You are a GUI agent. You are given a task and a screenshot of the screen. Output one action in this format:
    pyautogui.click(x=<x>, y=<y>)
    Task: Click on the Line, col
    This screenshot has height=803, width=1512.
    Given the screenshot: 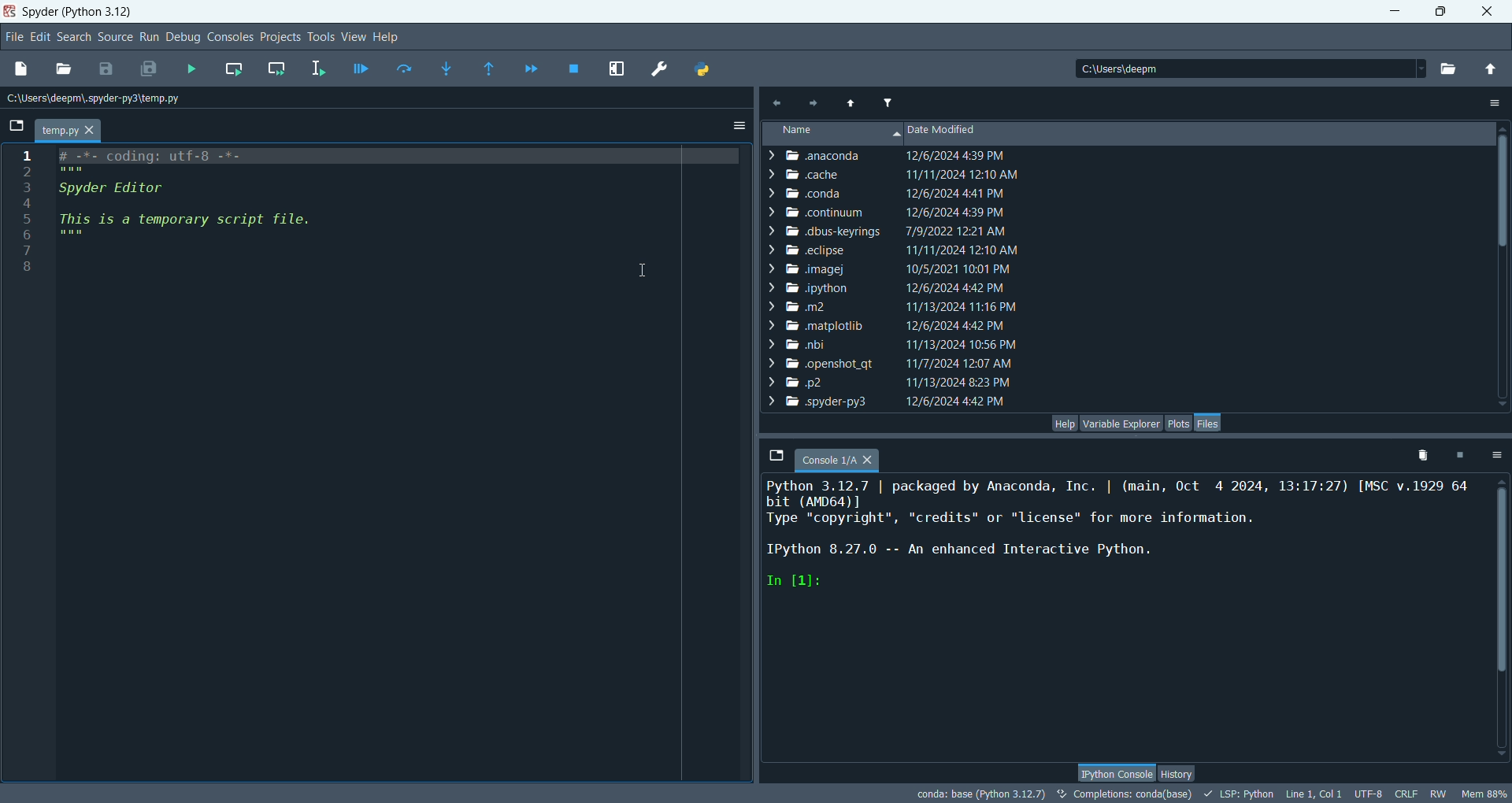 What is the action you would take?
    pyautogui.click(x=1314, y=794)
    